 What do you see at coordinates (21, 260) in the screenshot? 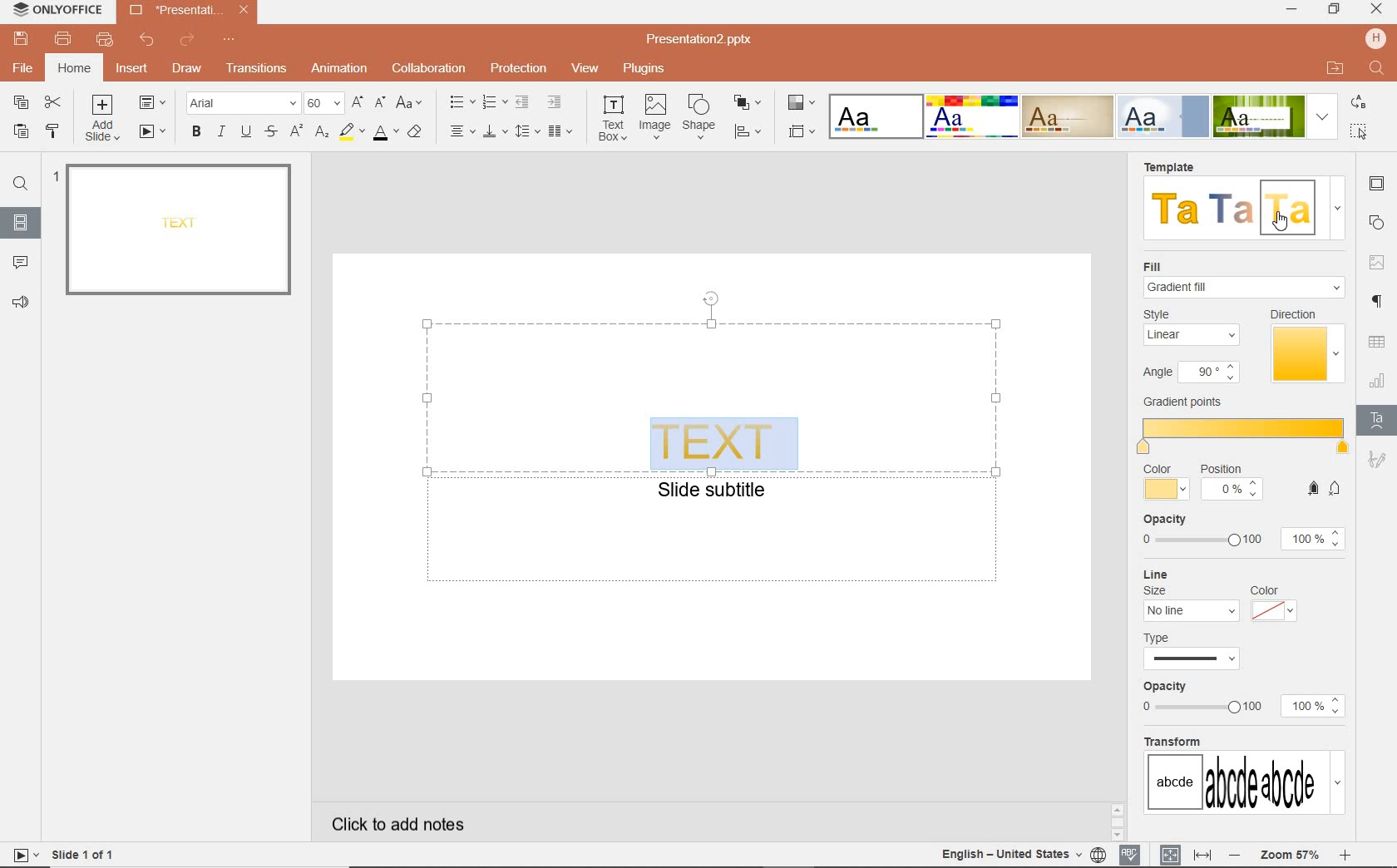
I see `COMMENTS` at bounding box center [21, 260].